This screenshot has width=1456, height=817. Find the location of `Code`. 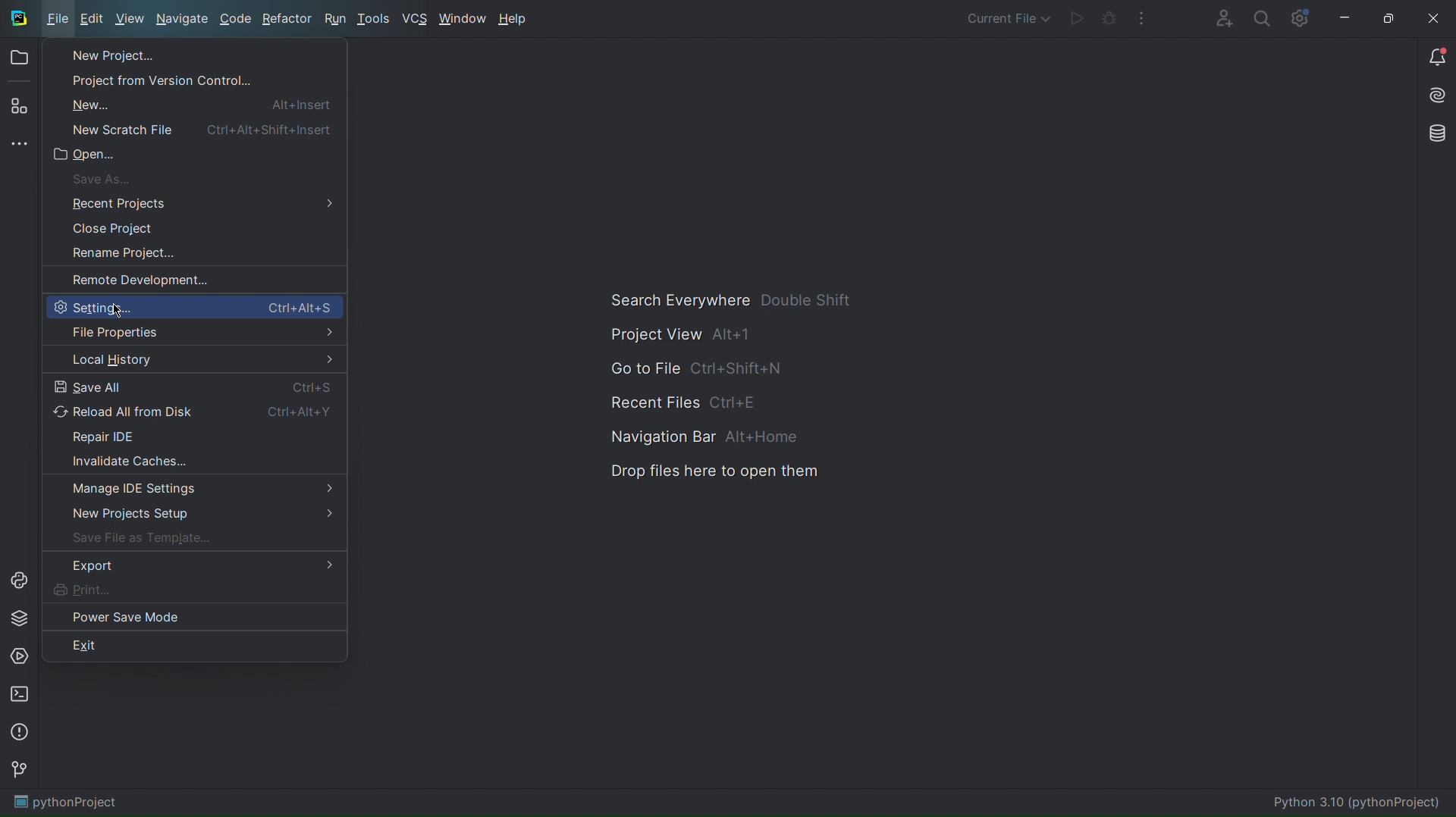

Code is located at coordinates (236, 21).